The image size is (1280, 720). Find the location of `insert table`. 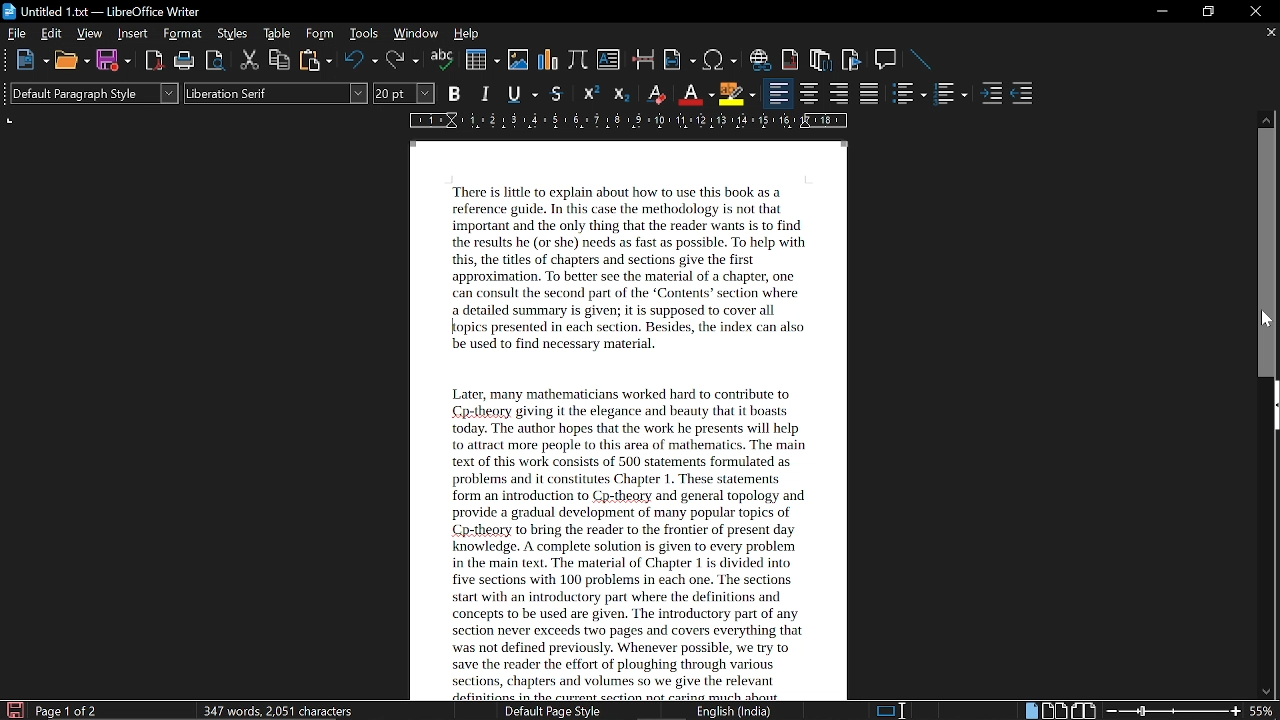

insert table is located at coordinates (482, 60).